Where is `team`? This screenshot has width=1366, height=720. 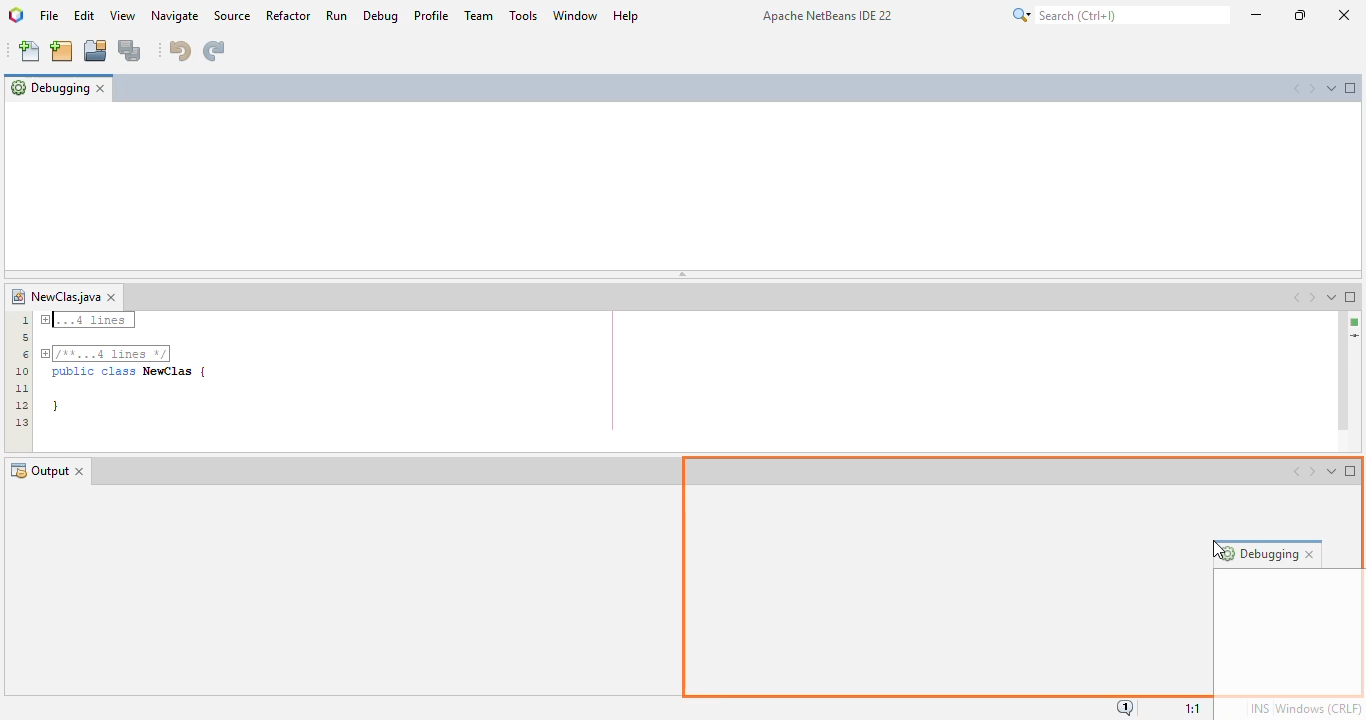 team is located at coordinates (480, 16).